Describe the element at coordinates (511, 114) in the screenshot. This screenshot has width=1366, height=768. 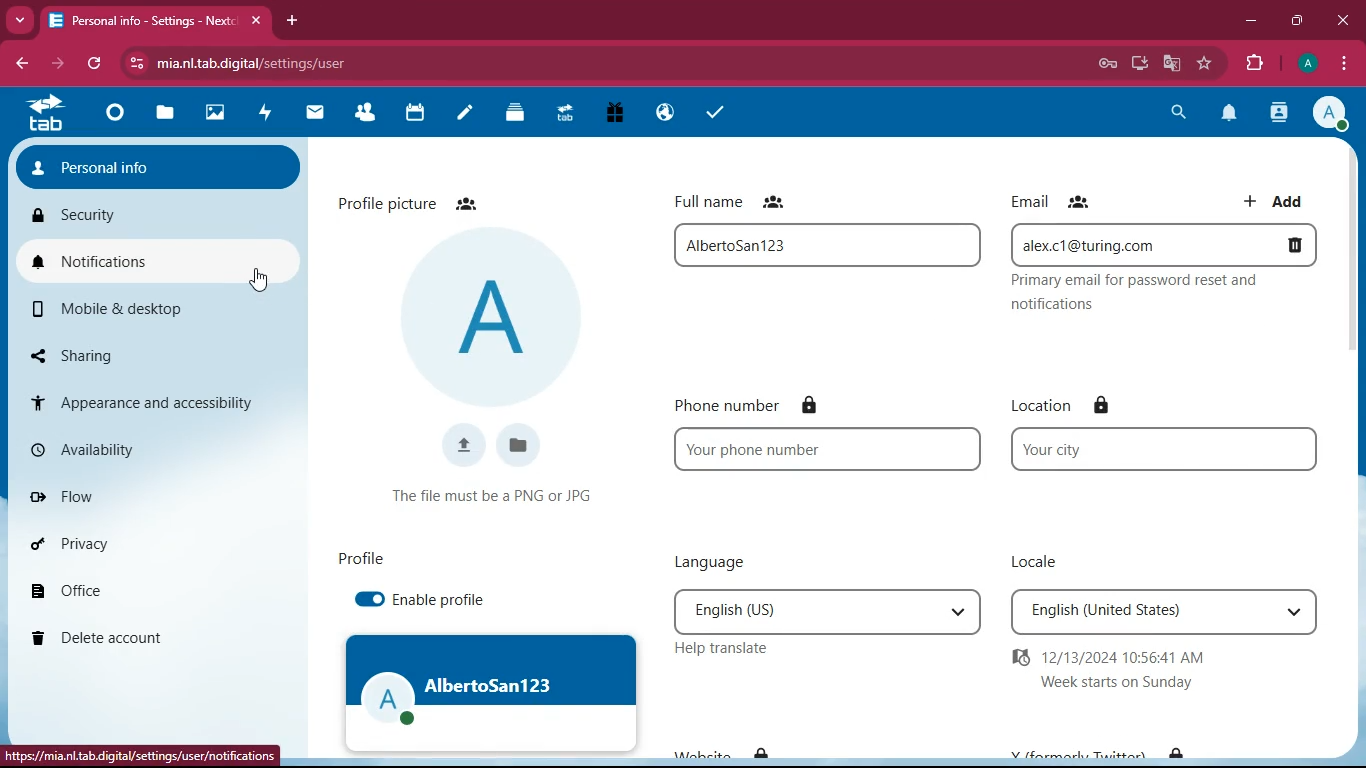
I see `Deck` at that location.